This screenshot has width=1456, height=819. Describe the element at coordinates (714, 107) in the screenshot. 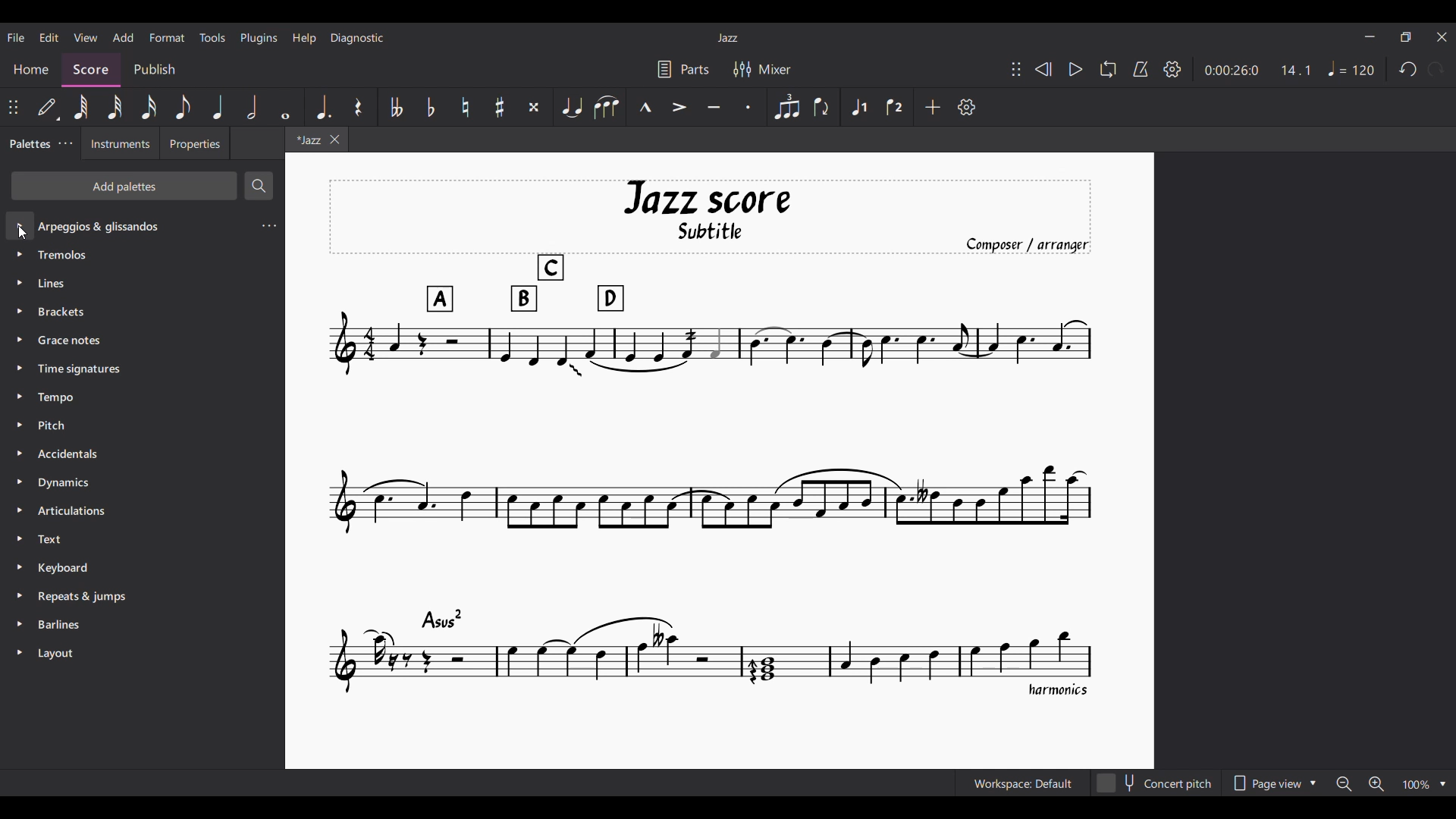

I see `Tenuto` at that location.